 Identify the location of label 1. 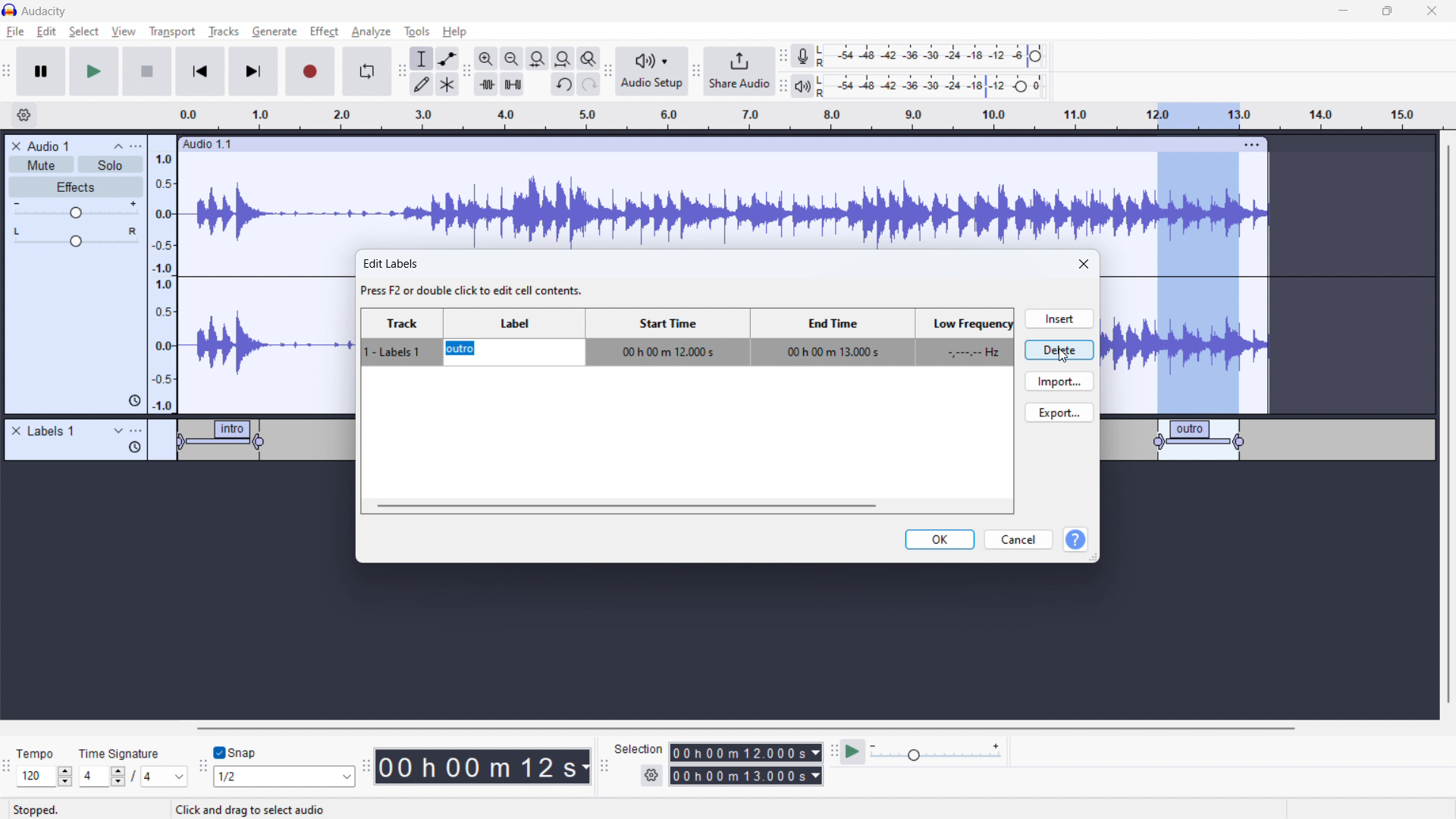
(224, 442).